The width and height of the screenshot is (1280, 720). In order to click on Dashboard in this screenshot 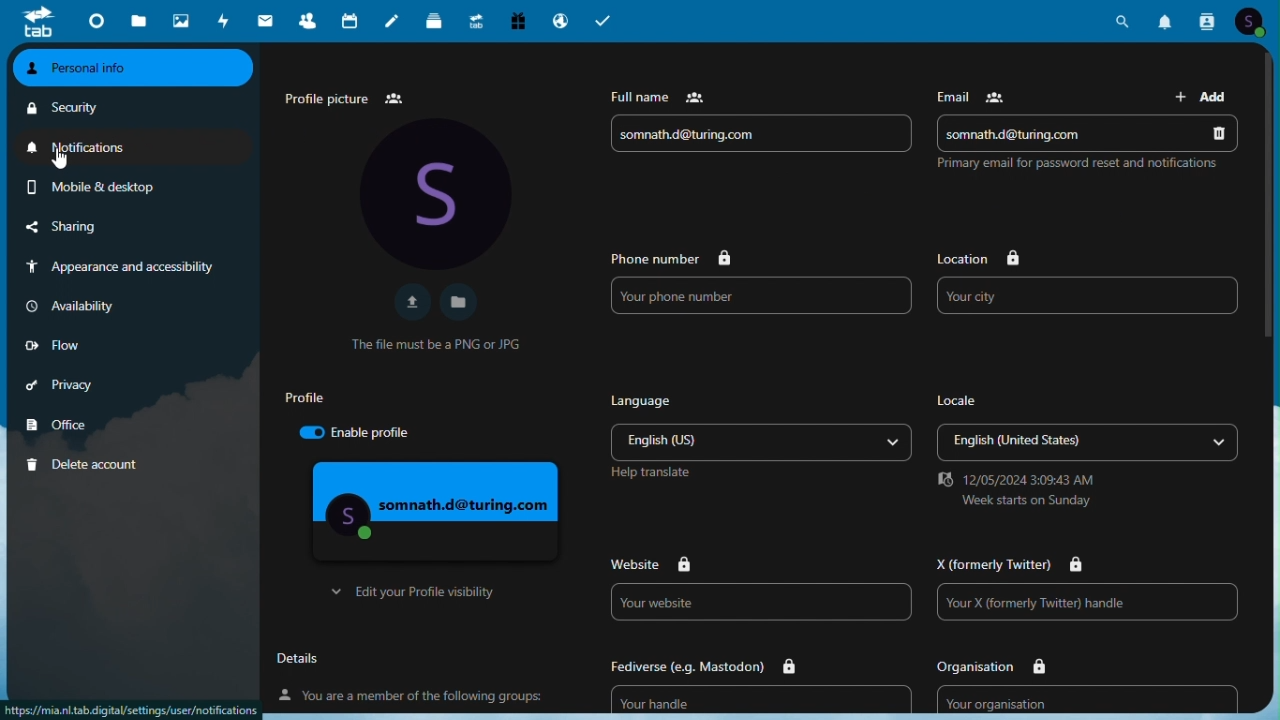, I will do `click(95, 24)`.